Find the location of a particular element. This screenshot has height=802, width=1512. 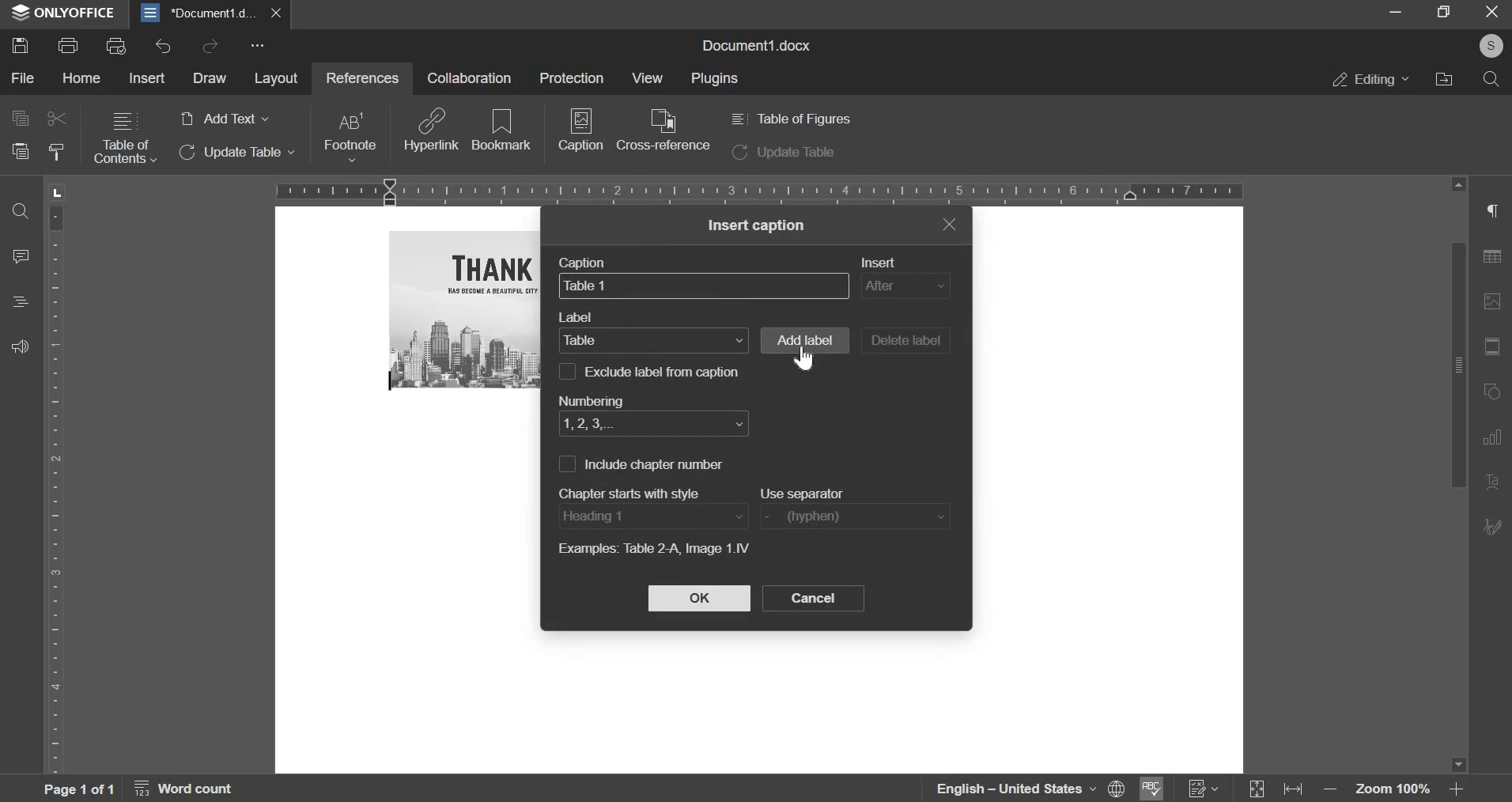

label is located at coordinates (580, 318).